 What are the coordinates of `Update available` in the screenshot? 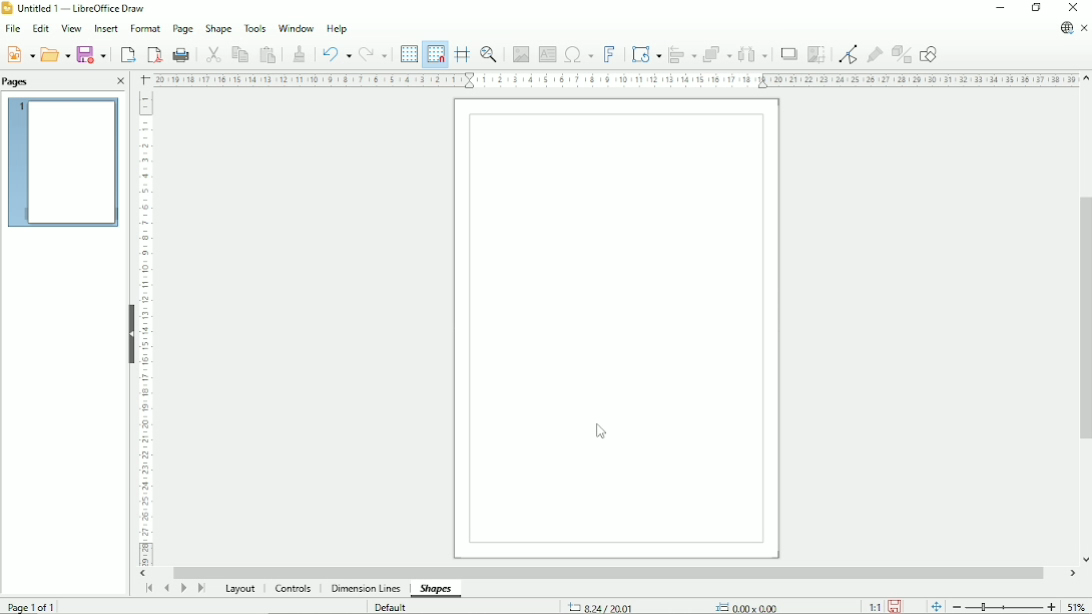 It's located at (1064, 29).